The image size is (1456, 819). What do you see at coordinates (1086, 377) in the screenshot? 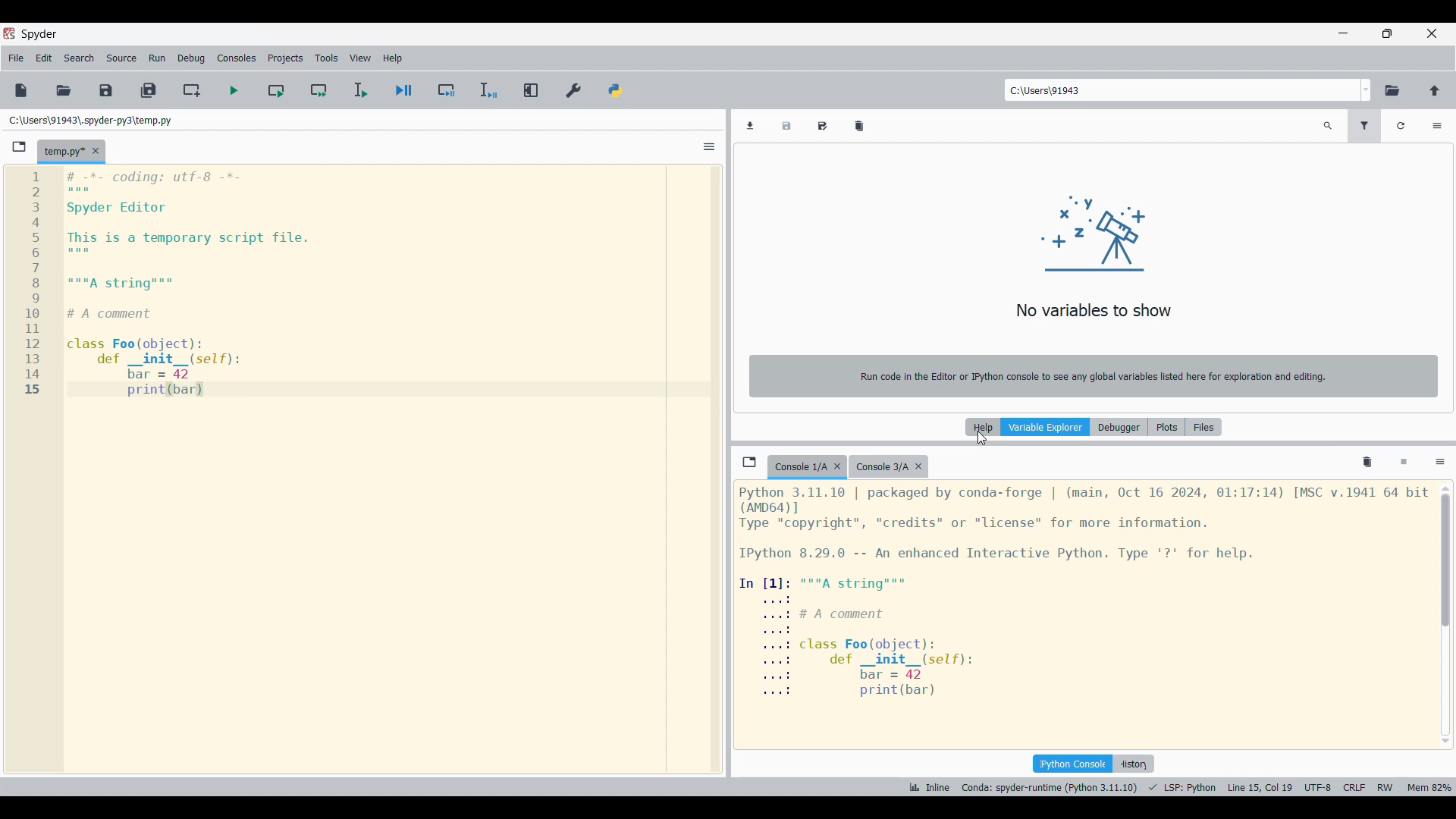
I see `Run code in the Editor or Python console to see any global variables listed here for exploration and editing.` at bounding box center [1086, 377].